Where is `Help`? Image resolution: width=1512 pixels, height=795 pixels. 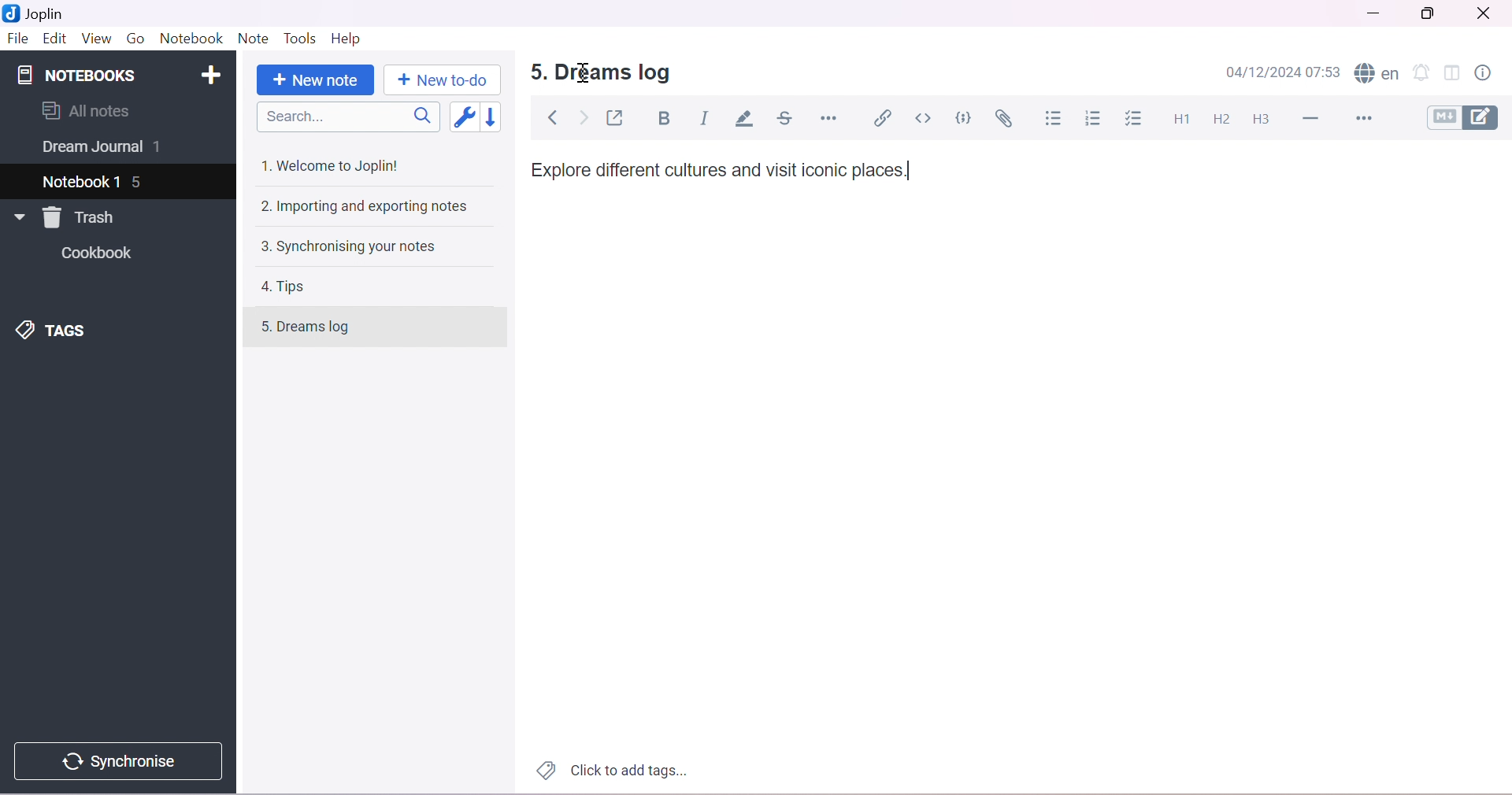 Help is located at coordinates (346, 37).